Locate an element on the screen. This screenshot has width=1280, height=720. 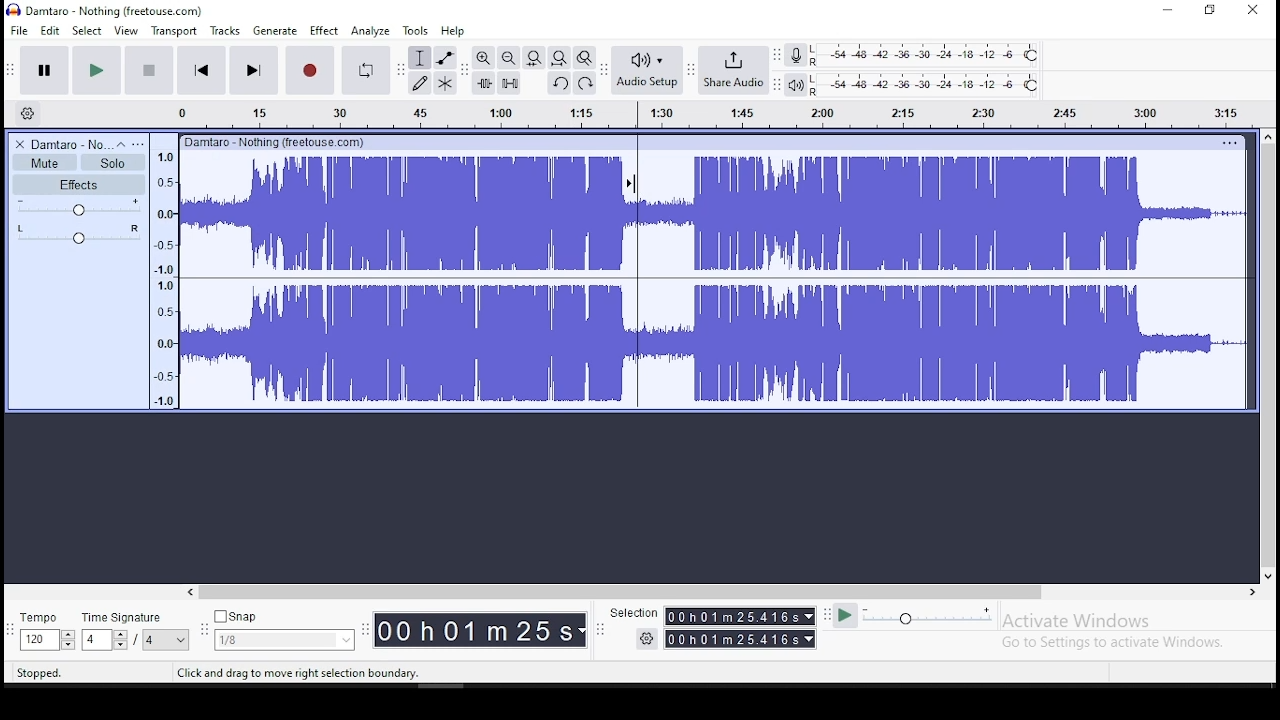
skip to start is located at coordinates (202, 70).